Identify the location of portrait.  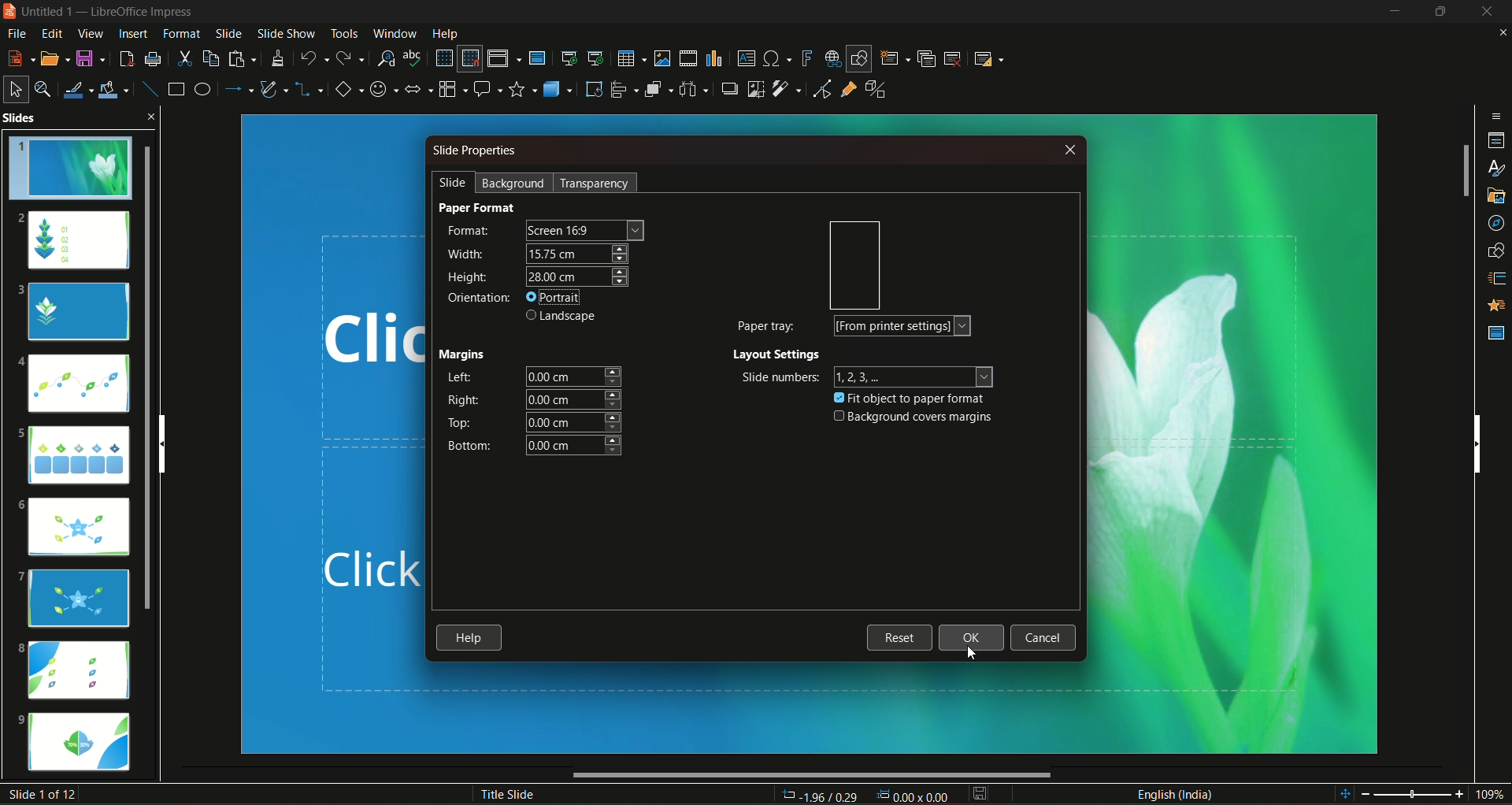
(562, 299).